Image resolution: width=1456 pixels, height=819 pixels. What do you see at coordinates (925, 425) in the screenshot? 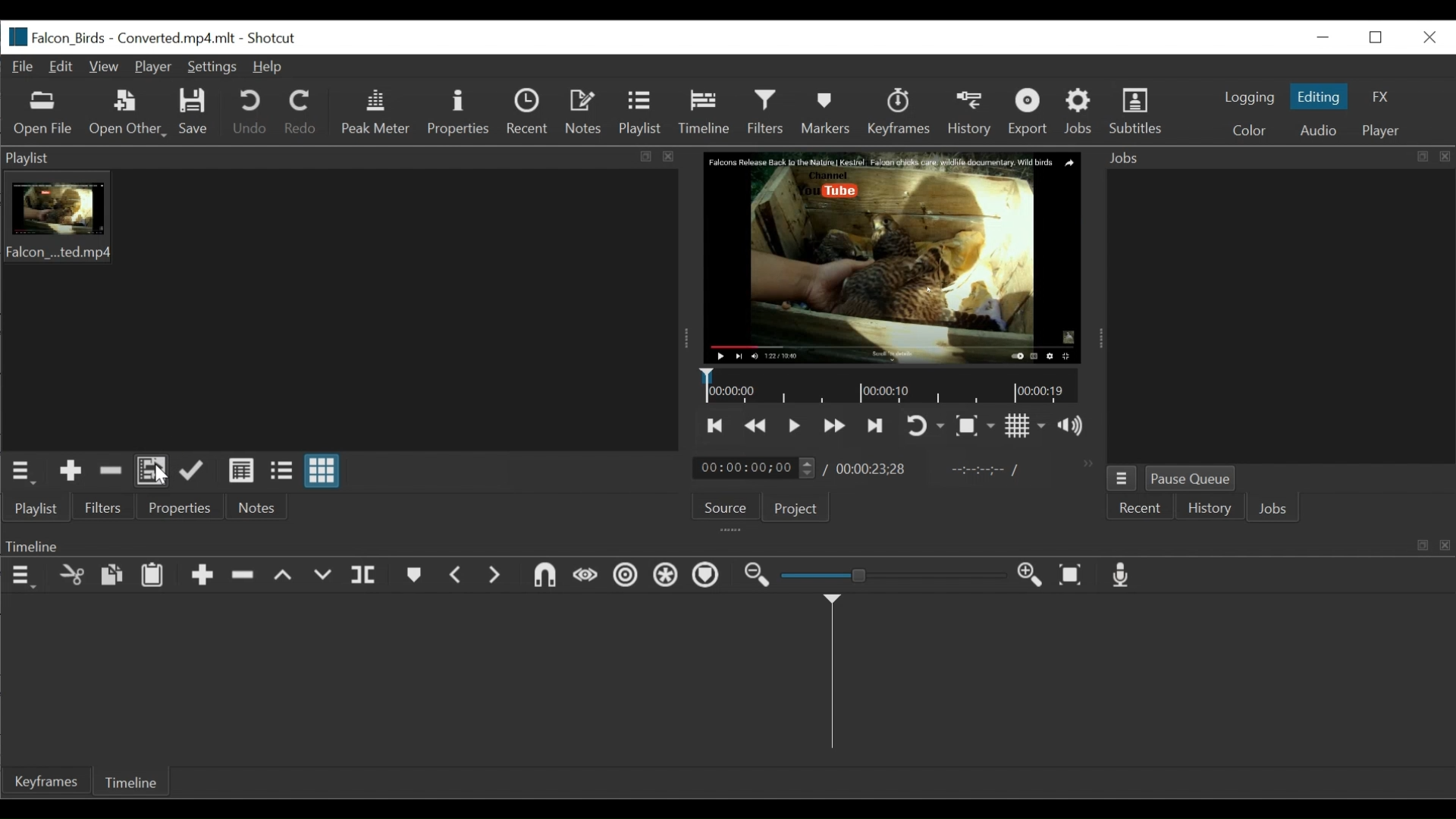
I see `Toggle player looping` at bounding box center [925, 425].